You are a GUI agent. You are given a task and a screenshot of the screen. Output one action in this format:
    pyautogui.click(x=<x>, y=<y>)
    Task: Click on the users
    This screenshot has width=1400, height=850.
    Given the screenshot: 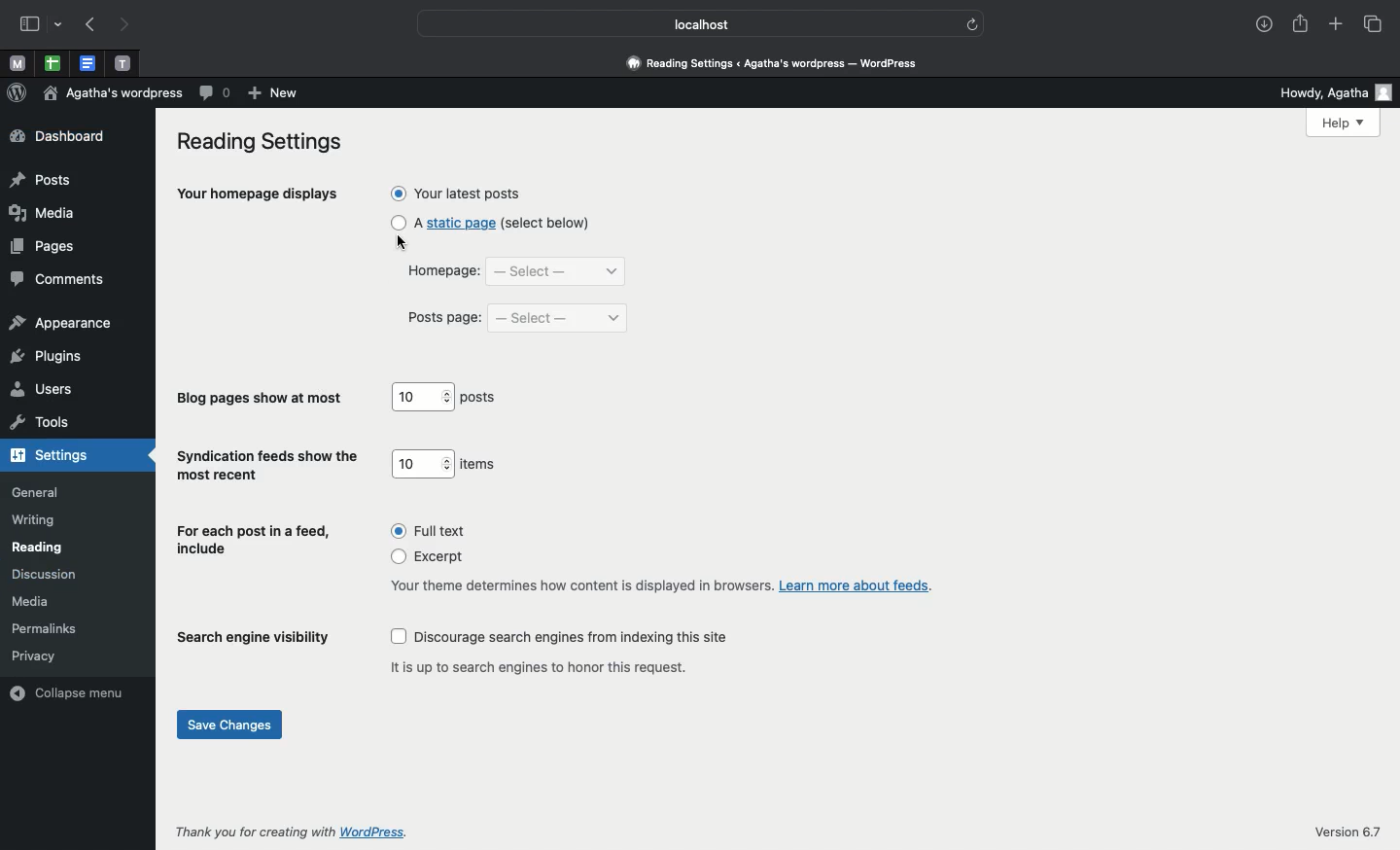 What is the action you would take?
    pyautogui.click(x=43, y=391)
    